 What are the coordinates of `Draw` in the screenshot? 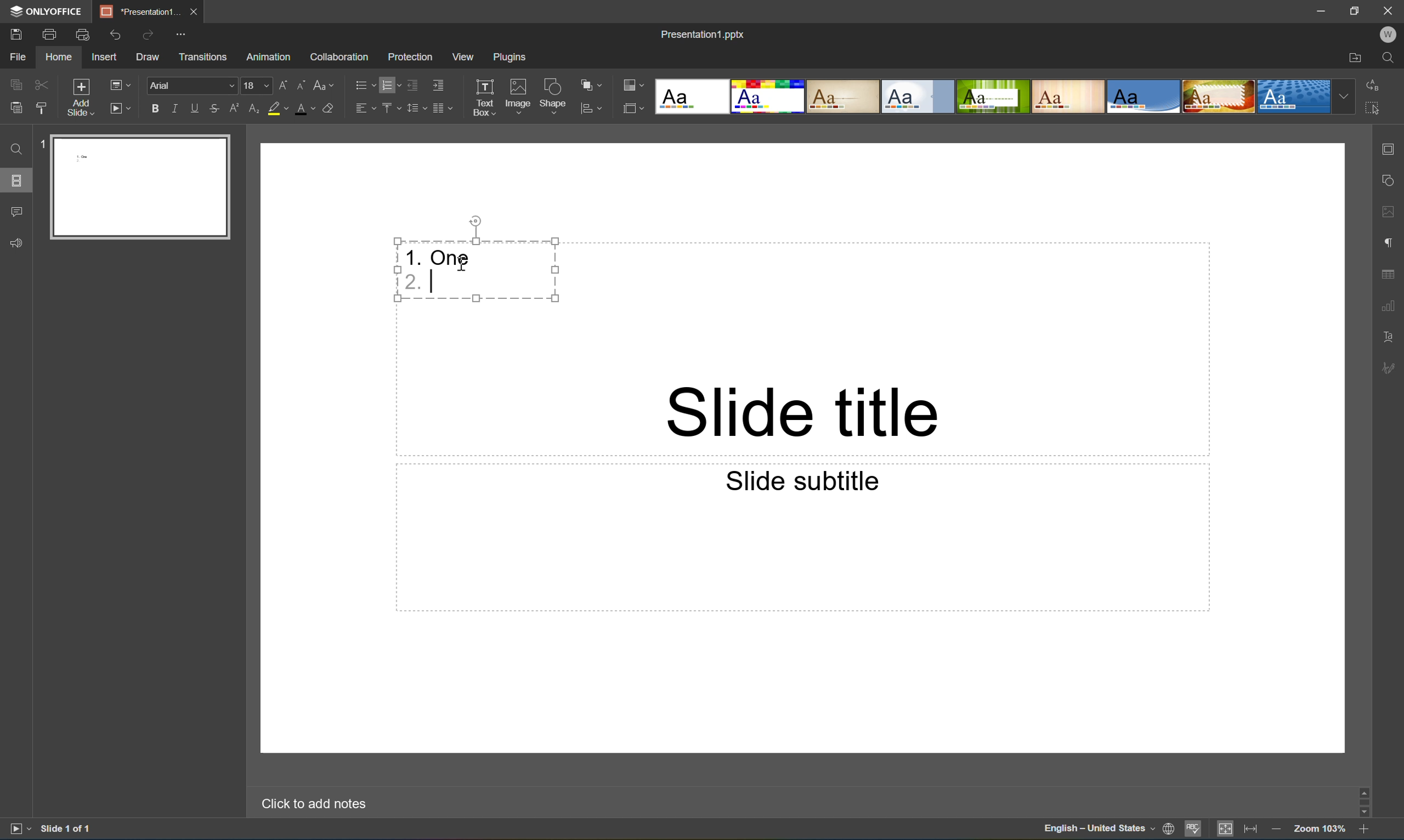 It's located at (148, 58).